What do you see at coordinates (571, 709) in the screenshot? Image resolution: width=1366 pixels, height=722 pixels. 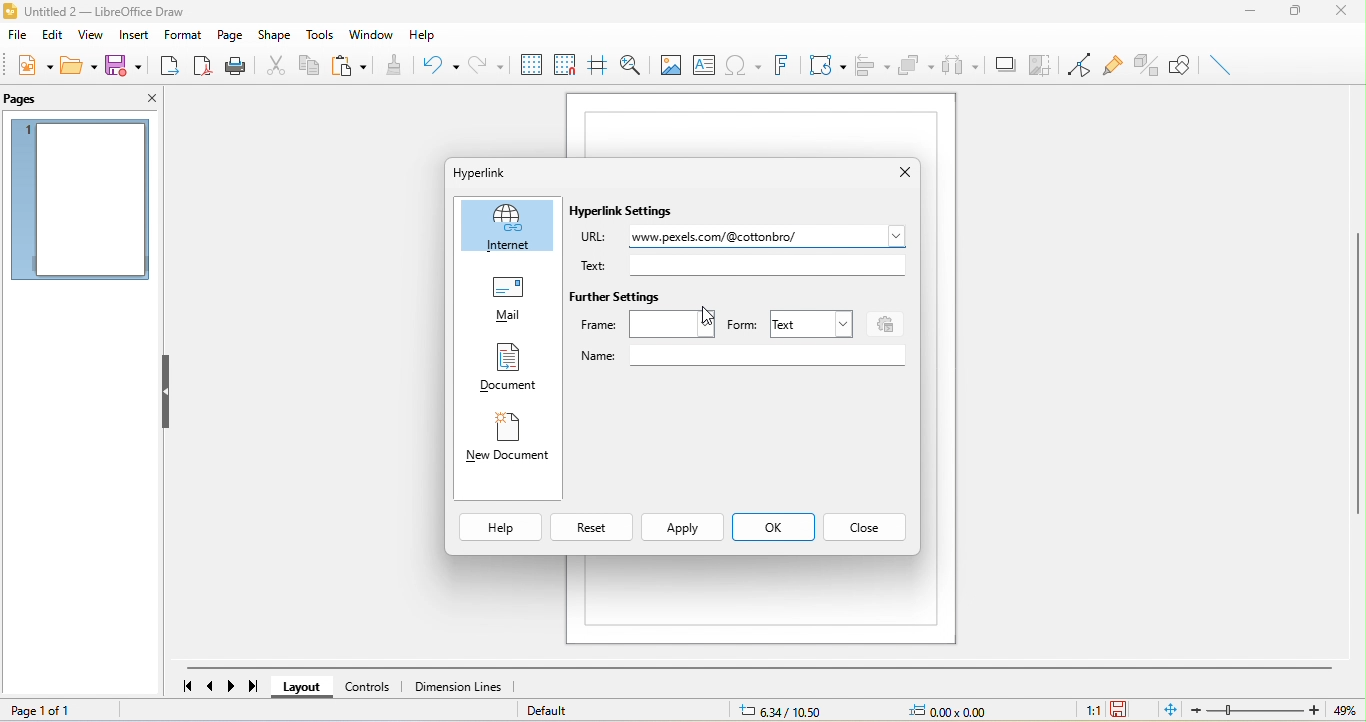 I see `default` at bounding box center [571, 709].